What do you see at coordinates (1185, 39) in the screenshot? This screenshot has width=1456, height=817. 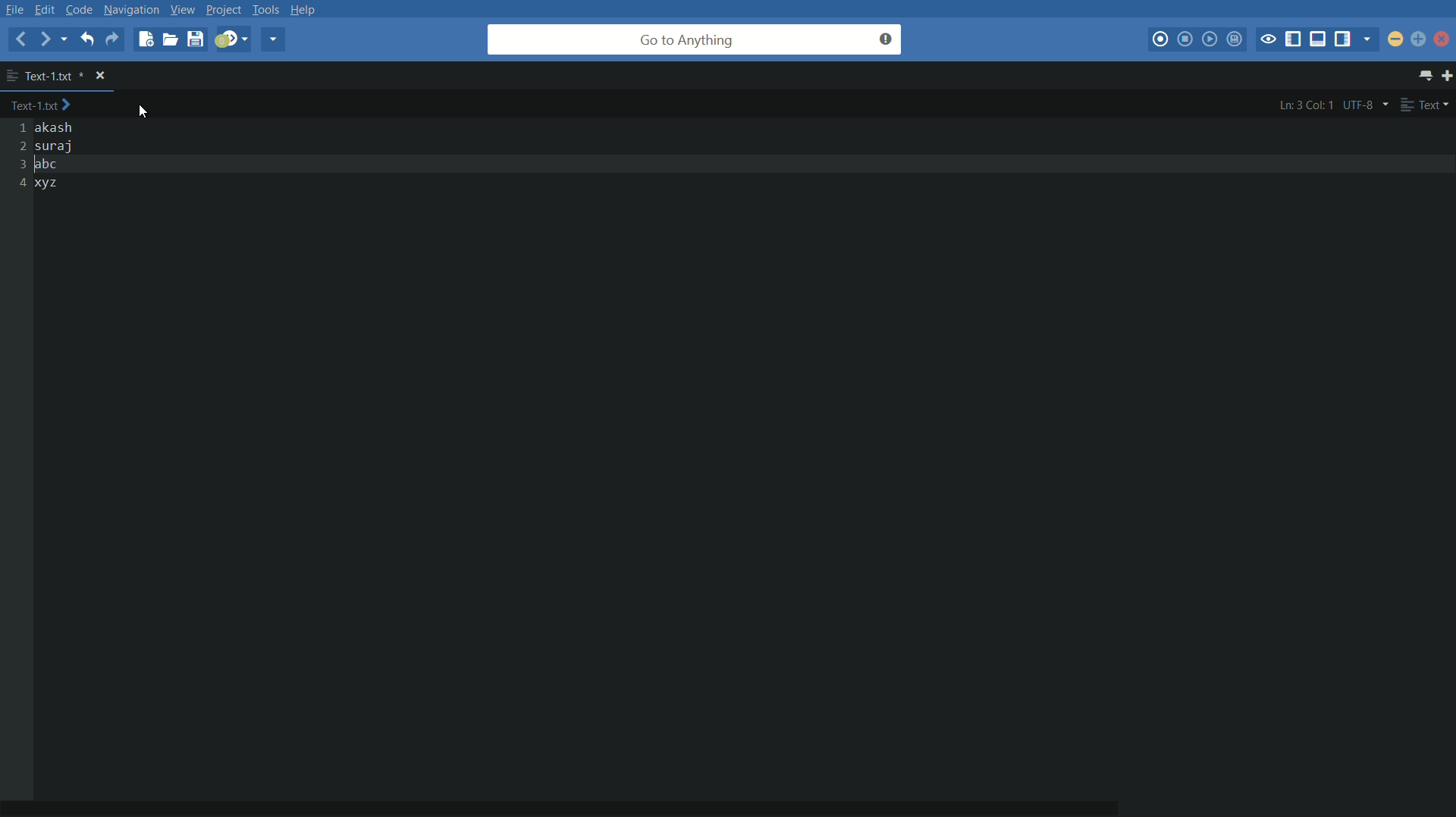 I see `stop macro` at bounding box center [1185, 39].